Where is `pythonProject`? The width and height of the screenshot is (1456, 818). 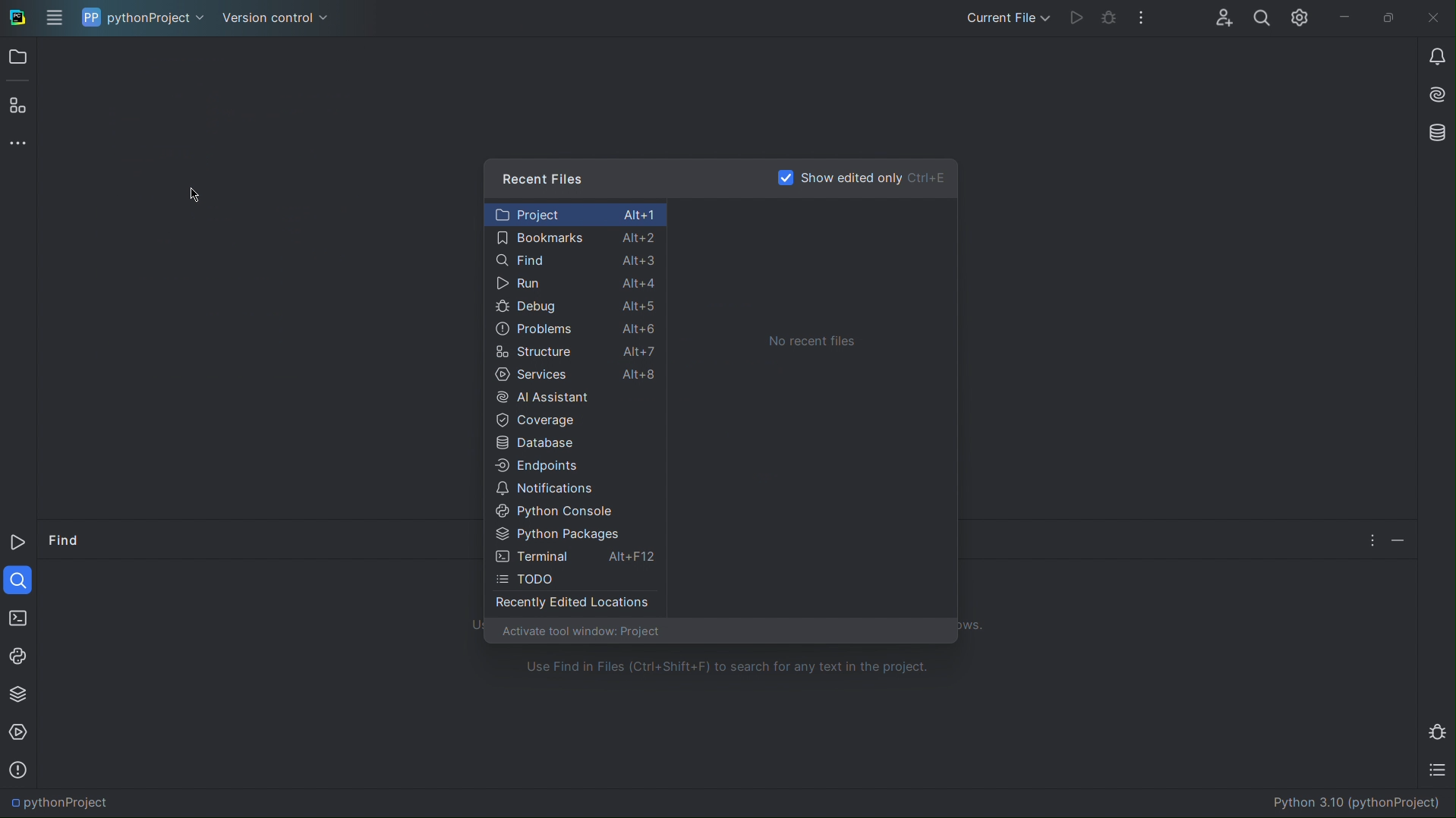 pythonProject is located at coordinates (60, 803).